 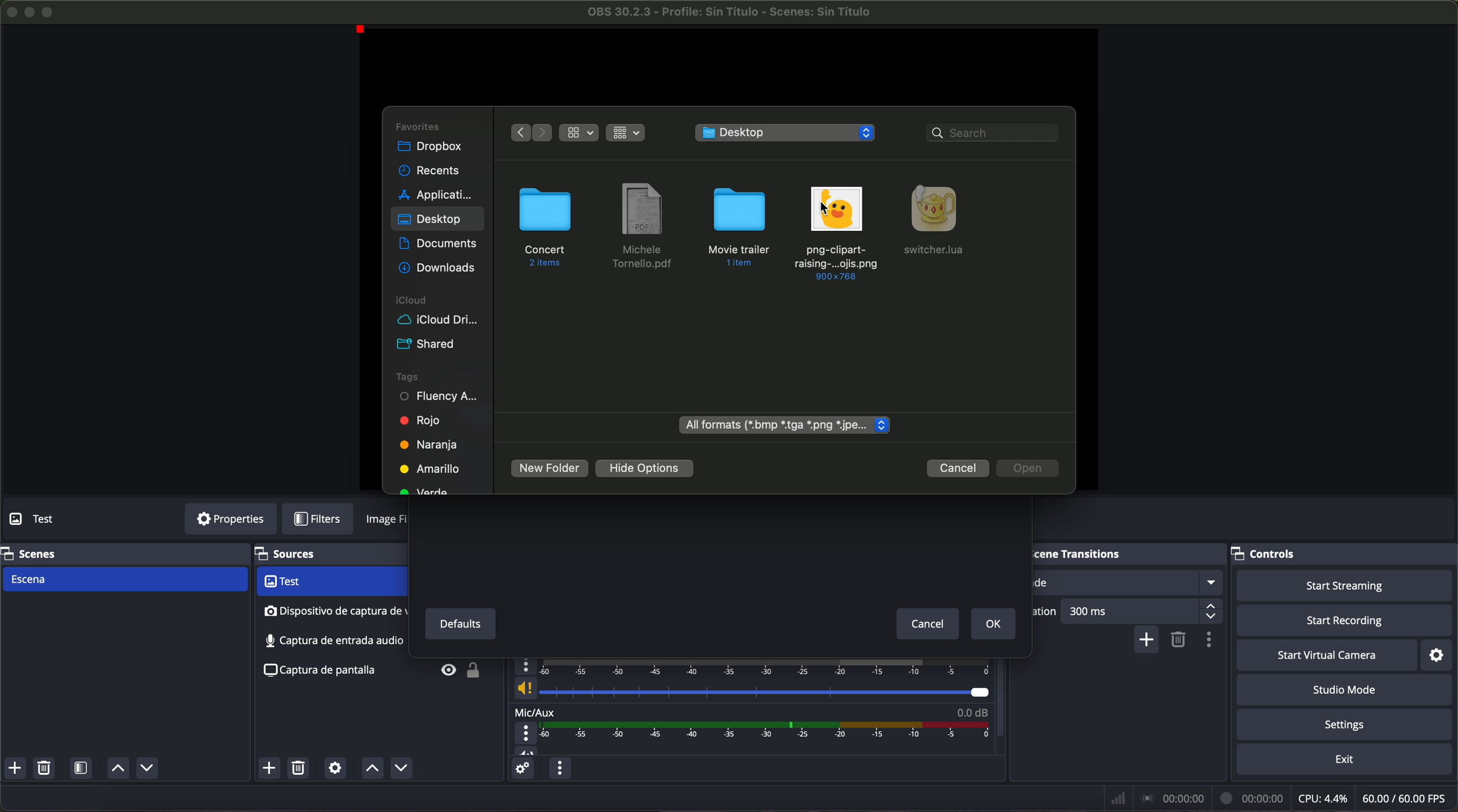 What do you see at coordinates (438, 320) in the screenshot?
I see `icloud drive` at bounding box center [438, 320].